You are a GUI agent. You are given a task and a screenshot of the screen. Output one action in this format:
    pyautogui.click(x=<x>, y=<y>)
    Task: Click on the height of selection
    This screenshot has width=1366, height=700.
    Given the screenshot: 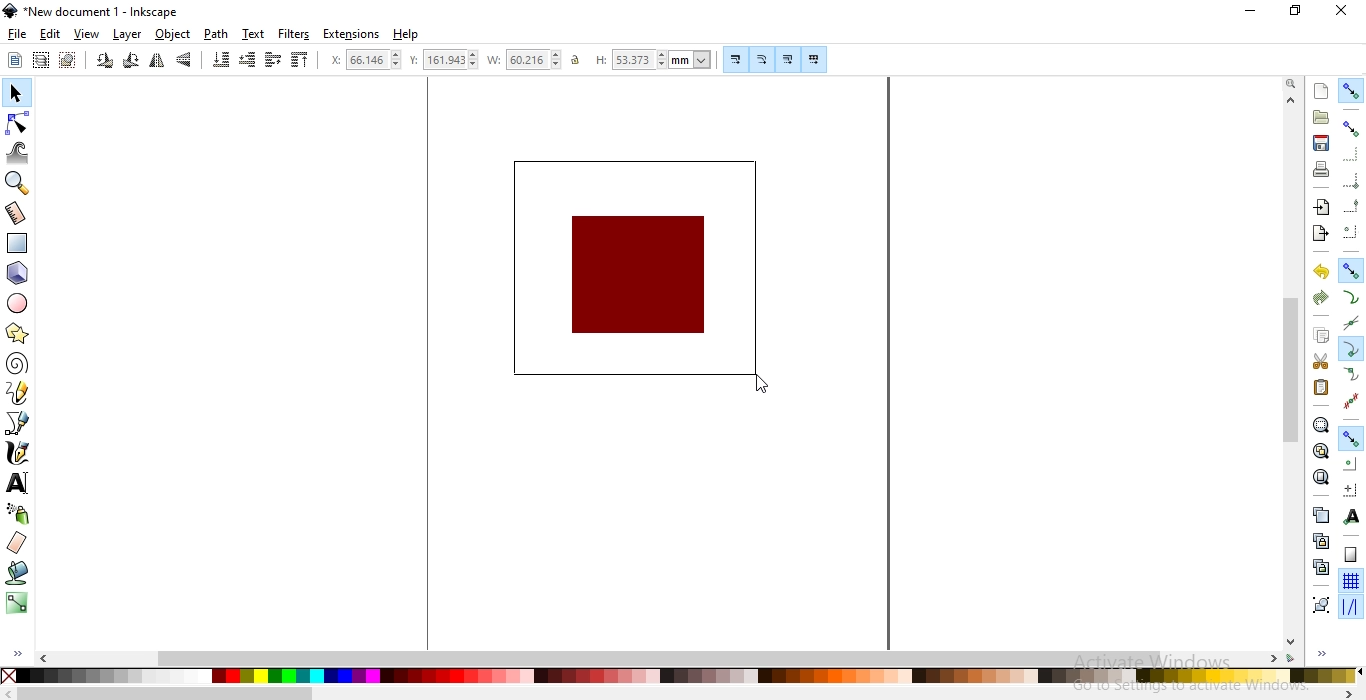 What is the action you would take?
    pyautogui.click(x=598, y=60)
    